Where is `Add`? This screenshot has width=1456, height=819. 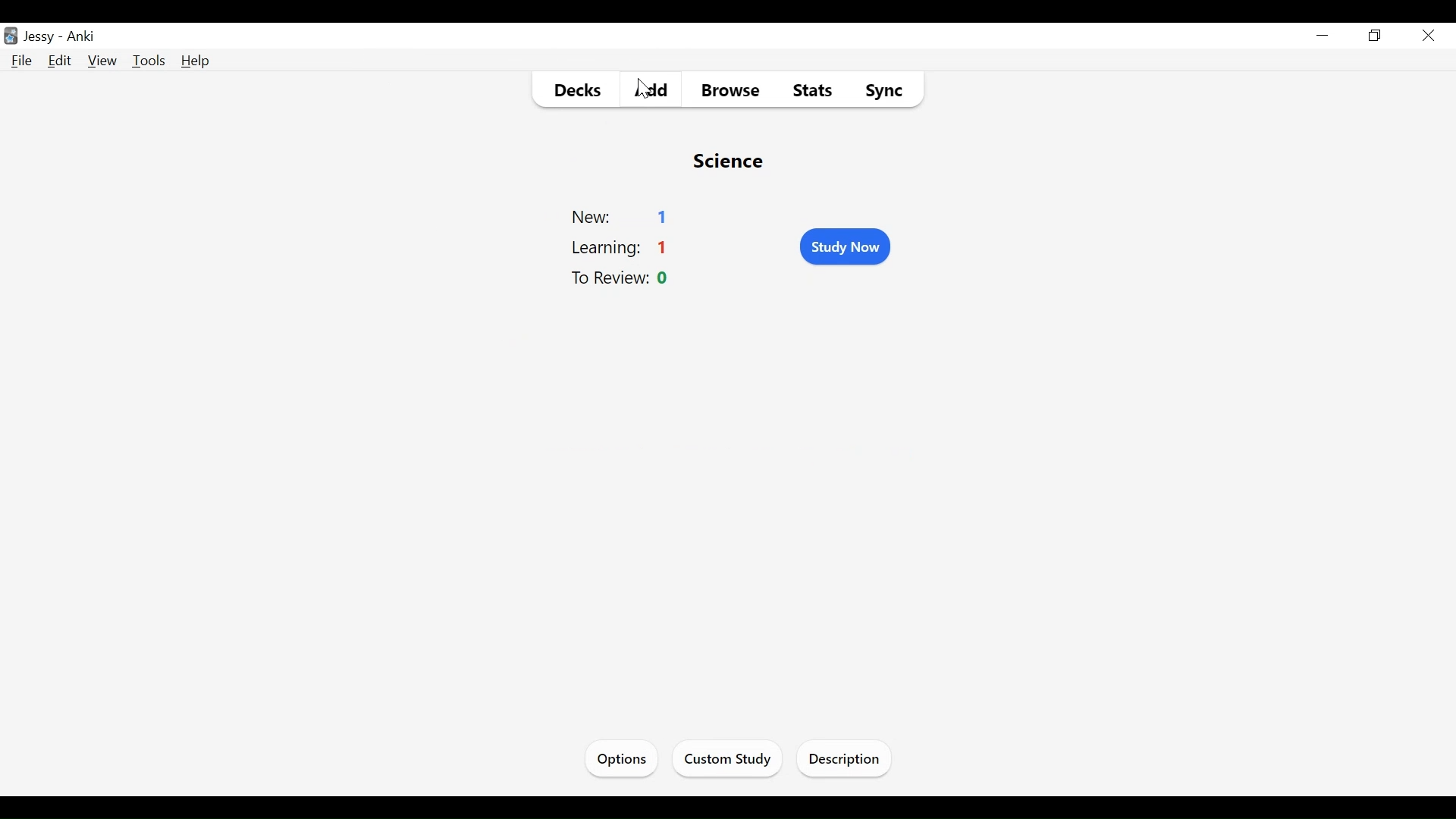 Add is located at coordinates (654, 91).